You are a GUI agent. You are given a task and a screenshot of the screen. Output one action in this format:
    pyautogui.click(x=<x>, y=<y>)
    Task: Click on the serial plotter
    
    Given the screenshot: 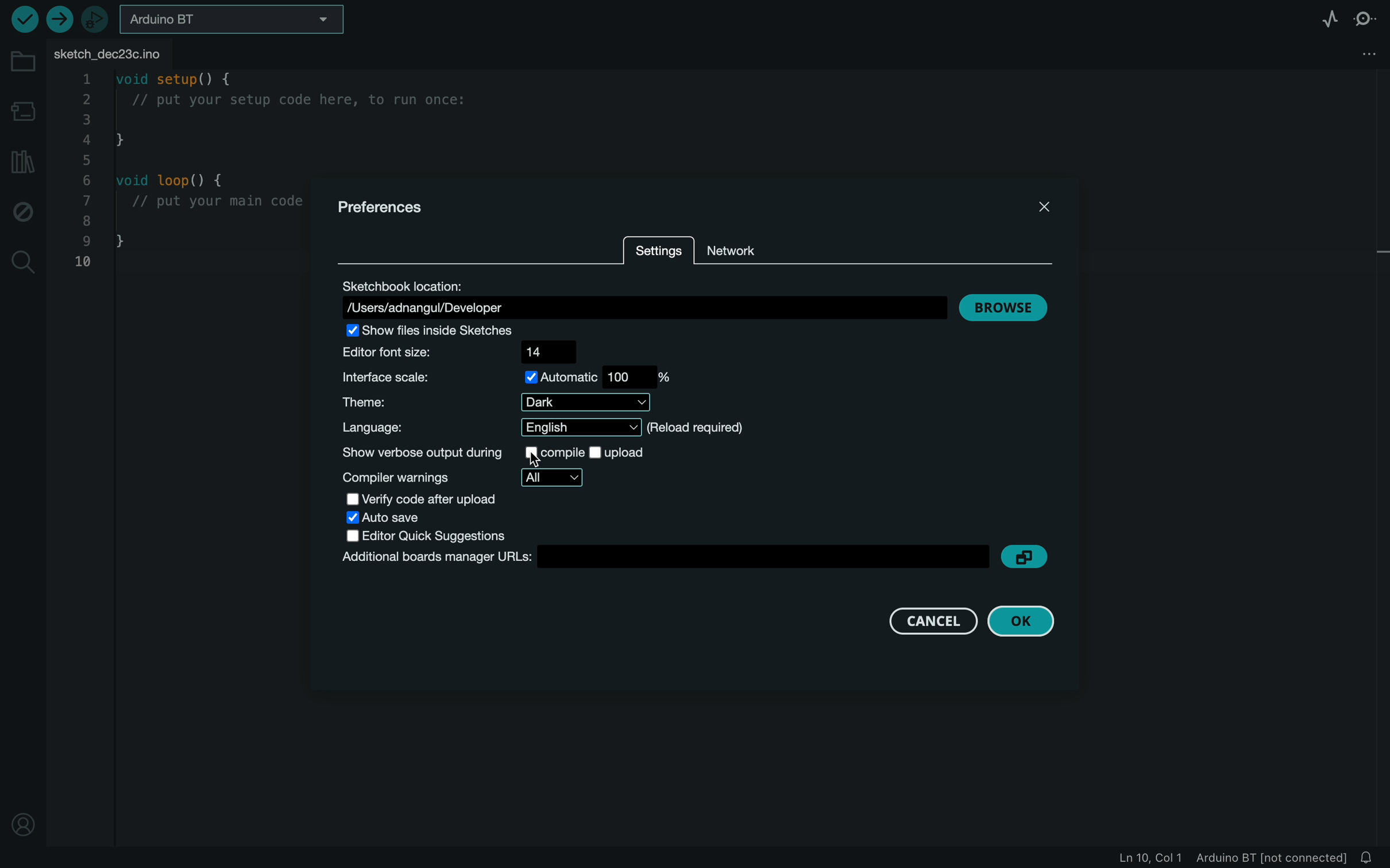 What is the action you would take?
    pyautogui.click(x=1332, y=18)
    